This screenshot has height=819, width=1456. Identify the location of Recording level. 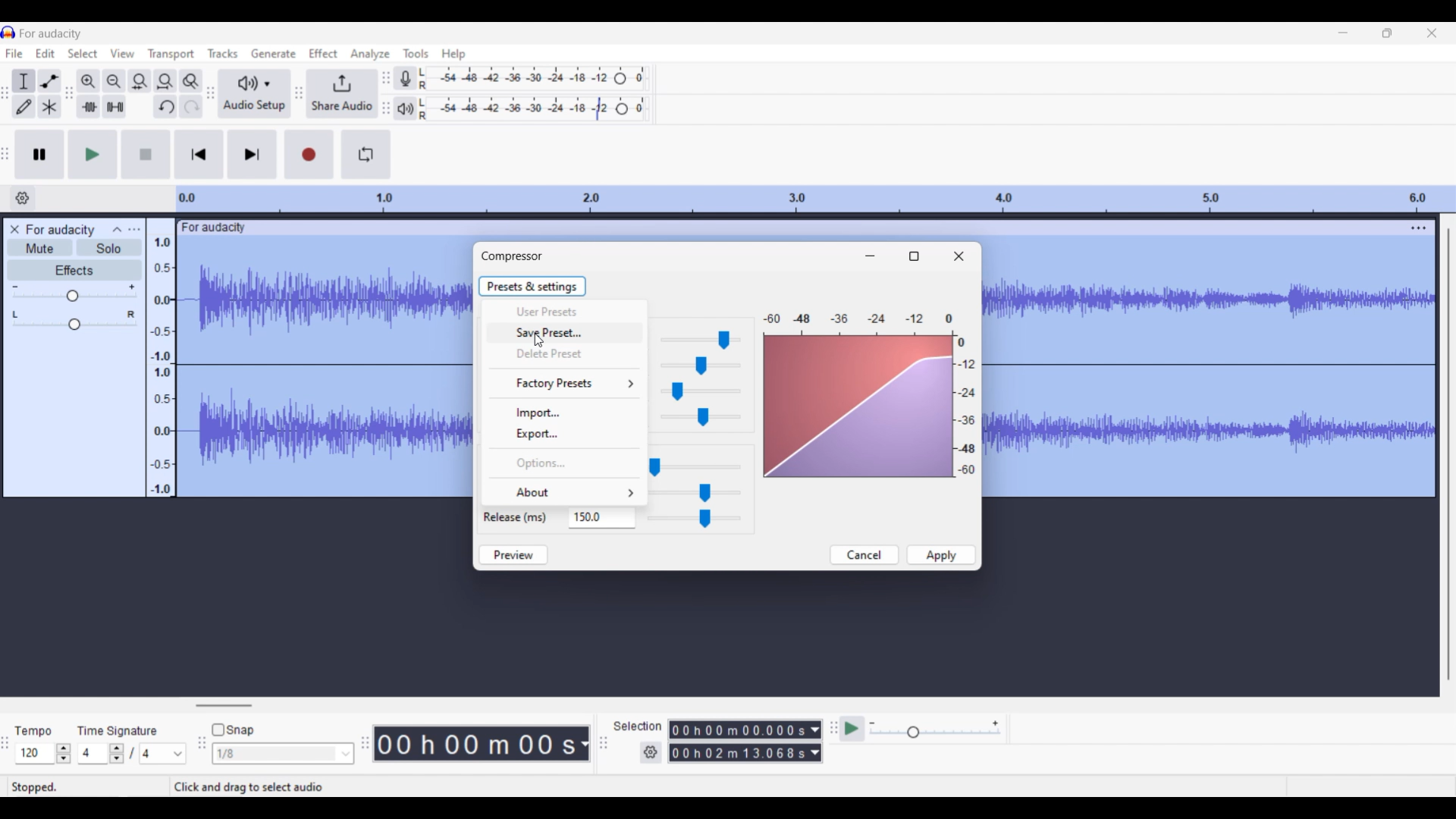
(535, 78).